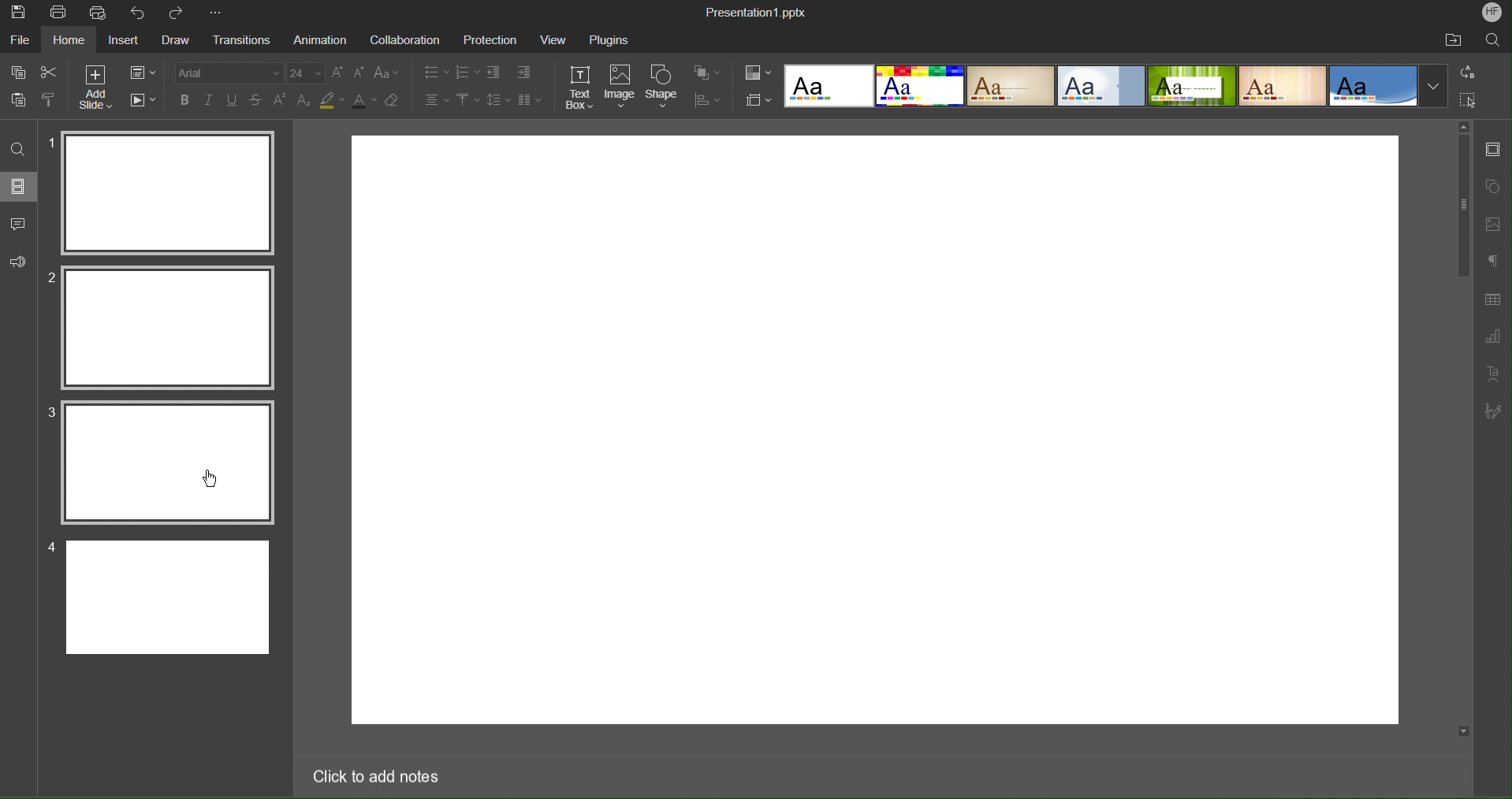  What do you see at coordinates (1119, 86) in the screenshot?
I see `Templates` at bounding box center [1119, 86].